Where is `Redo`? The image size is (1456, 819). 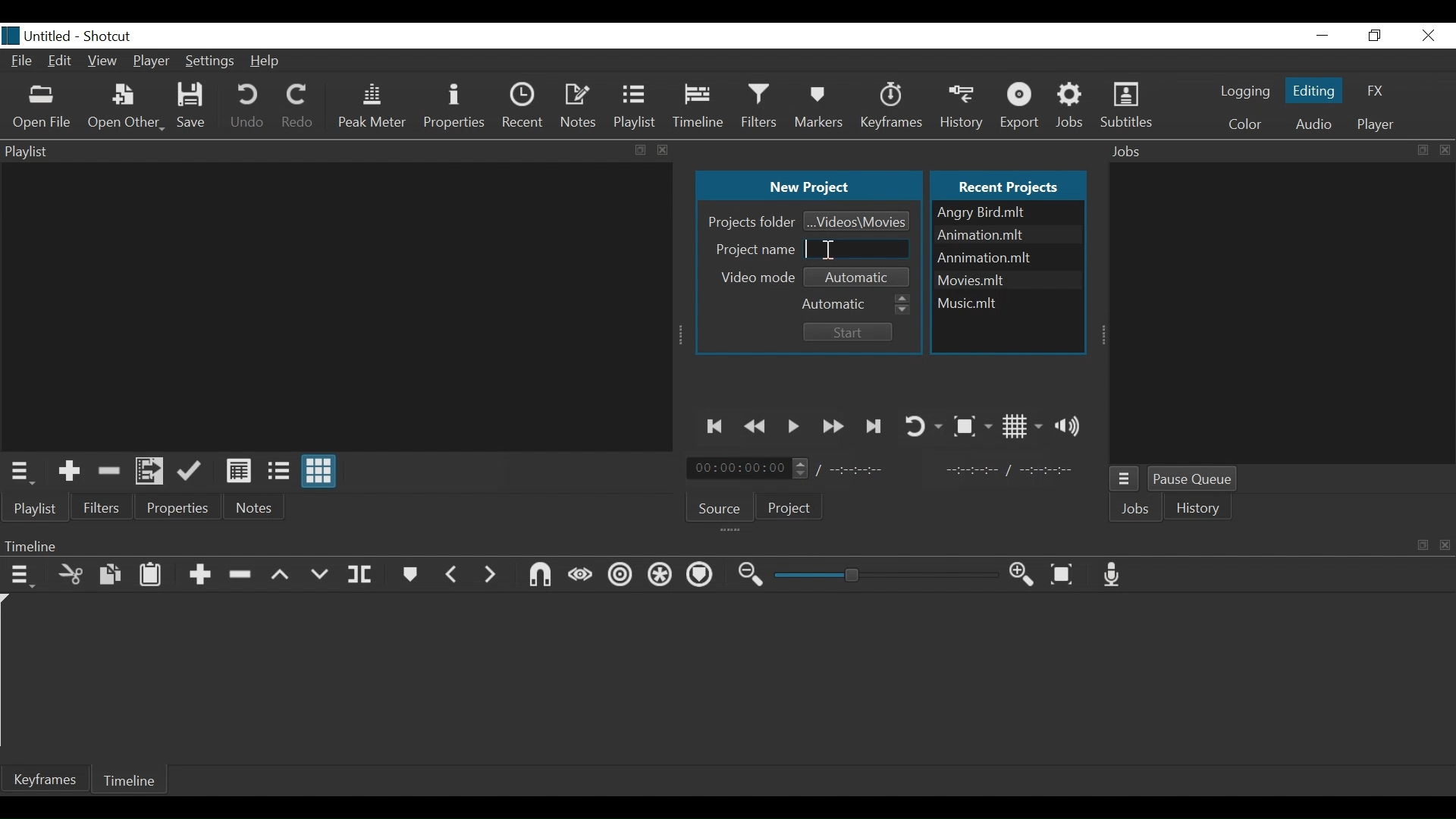
Redo is located at coordinates (297, 108).